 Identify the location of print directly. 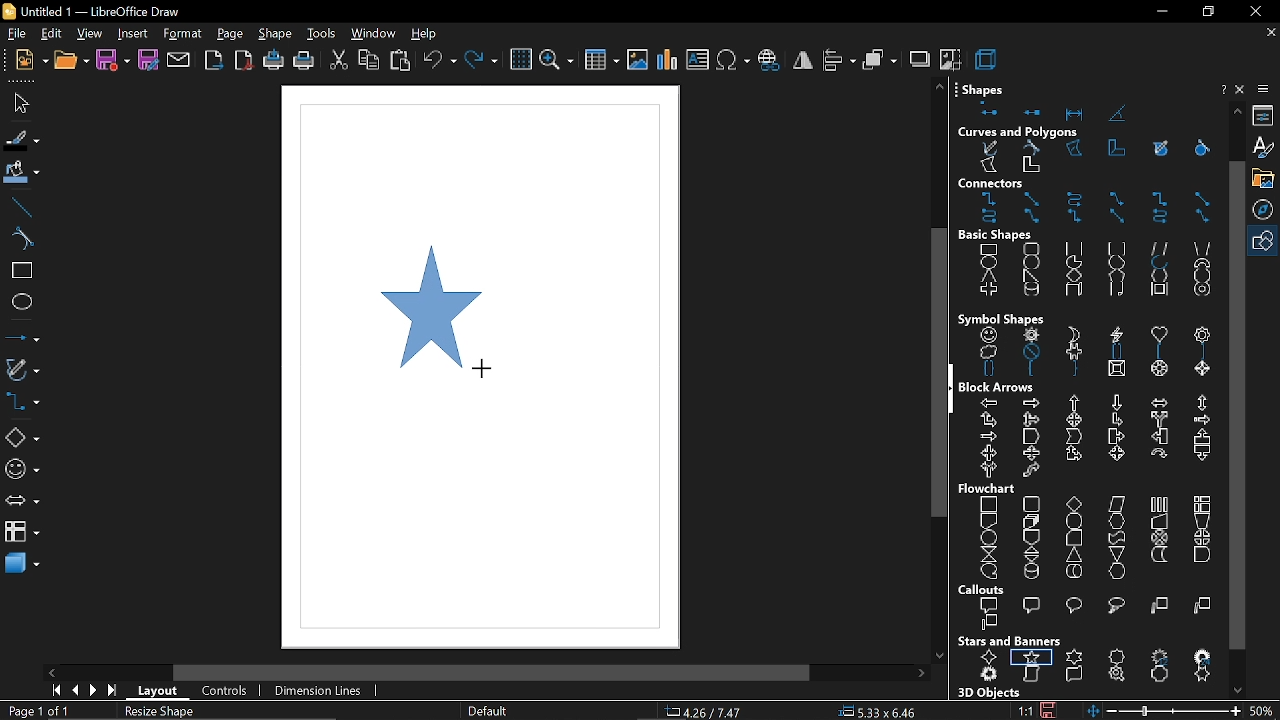
(271, 61).